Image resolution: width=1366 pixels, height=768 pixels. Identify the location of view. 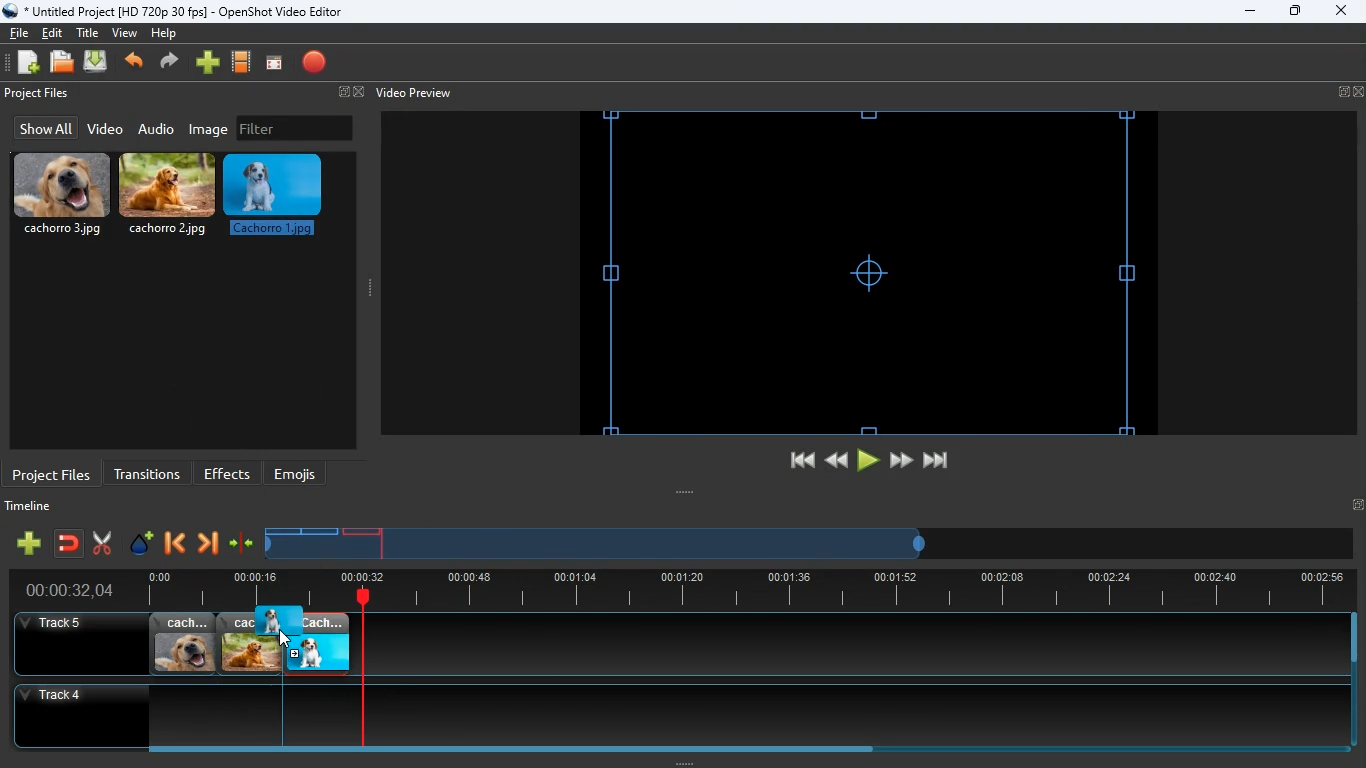
(126, 33).